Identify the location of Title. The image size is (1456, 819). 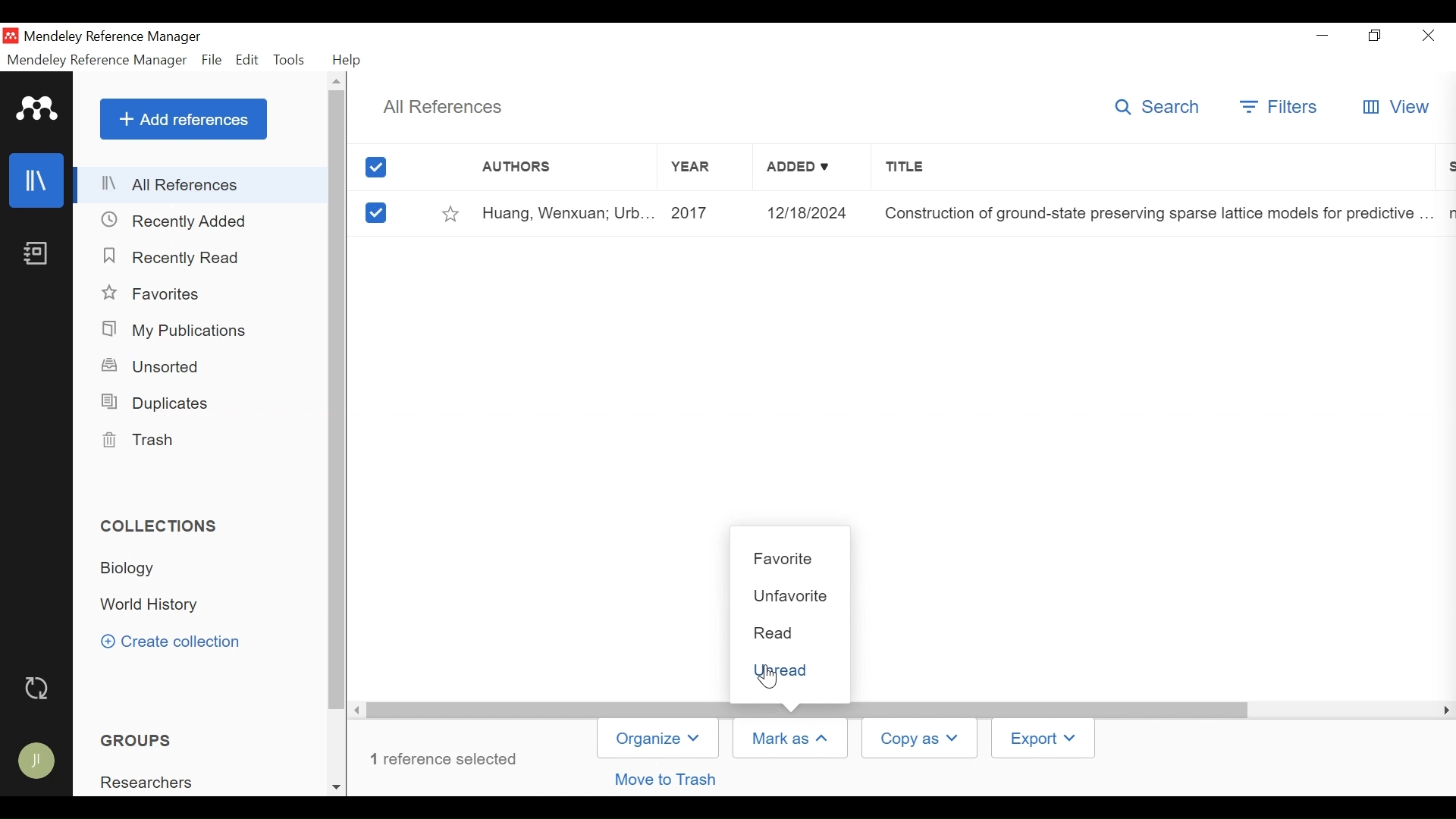
(1158, 170).